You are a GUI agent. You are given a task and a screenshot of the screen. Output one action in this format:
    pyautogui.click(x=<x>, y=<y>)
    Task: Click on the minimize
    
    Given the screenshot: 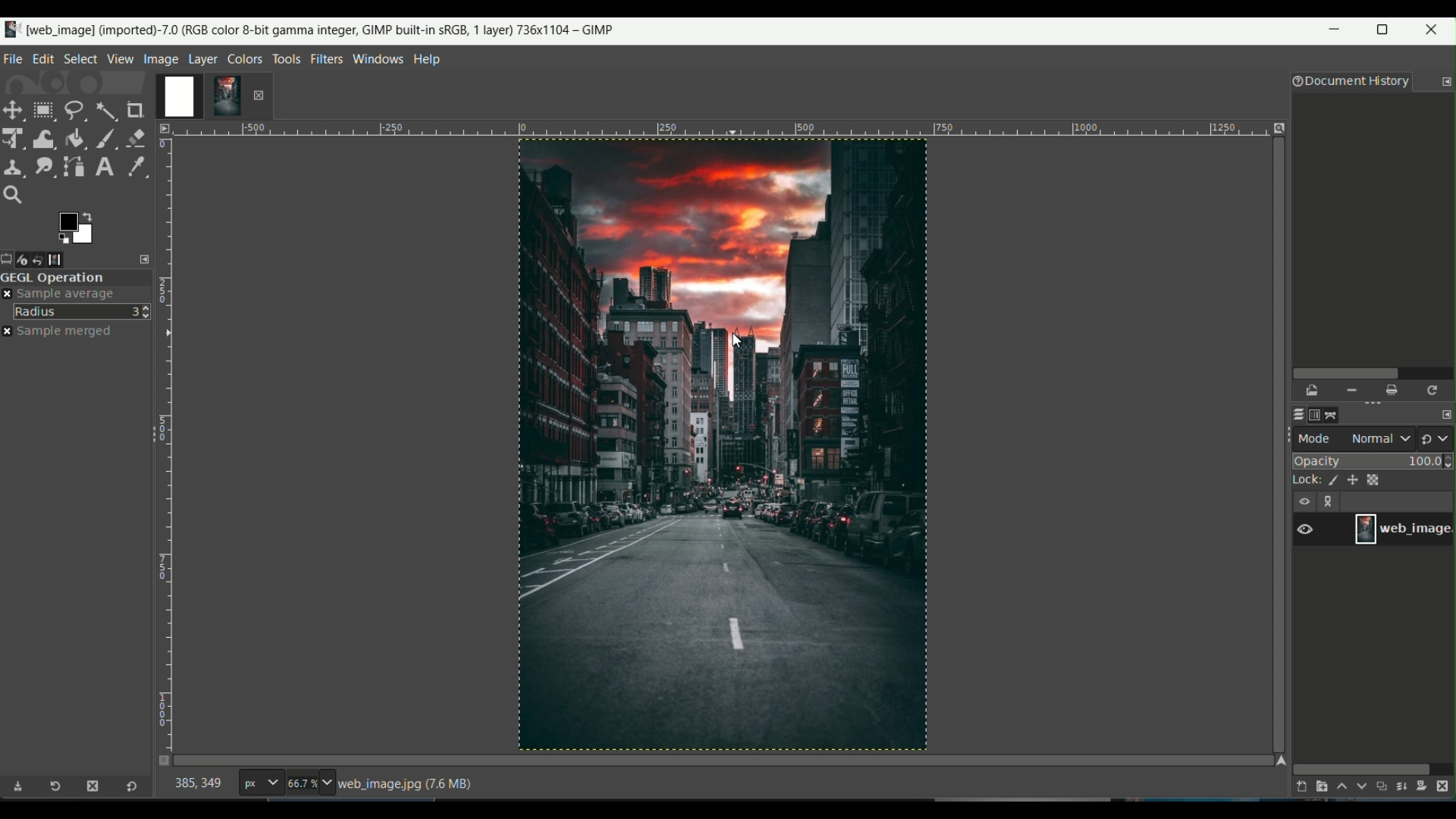 What is the action you would take?
    pyautogui.click(x=1335, y=33)
    